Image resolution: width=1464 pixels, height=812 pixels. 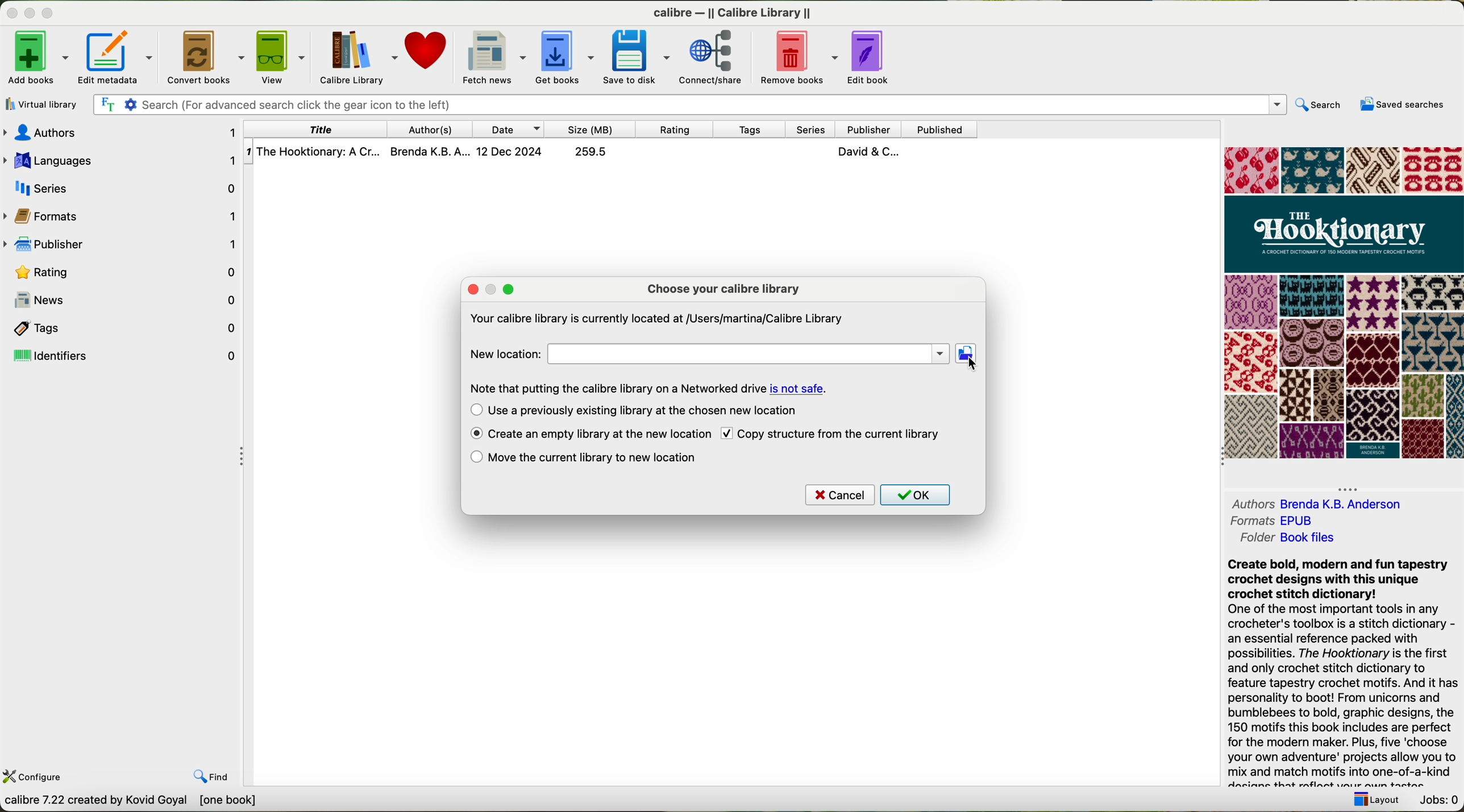 What do you see at coordinates (132, 300) in the screenshot?
I see `news` at bounding box center [132, 300].